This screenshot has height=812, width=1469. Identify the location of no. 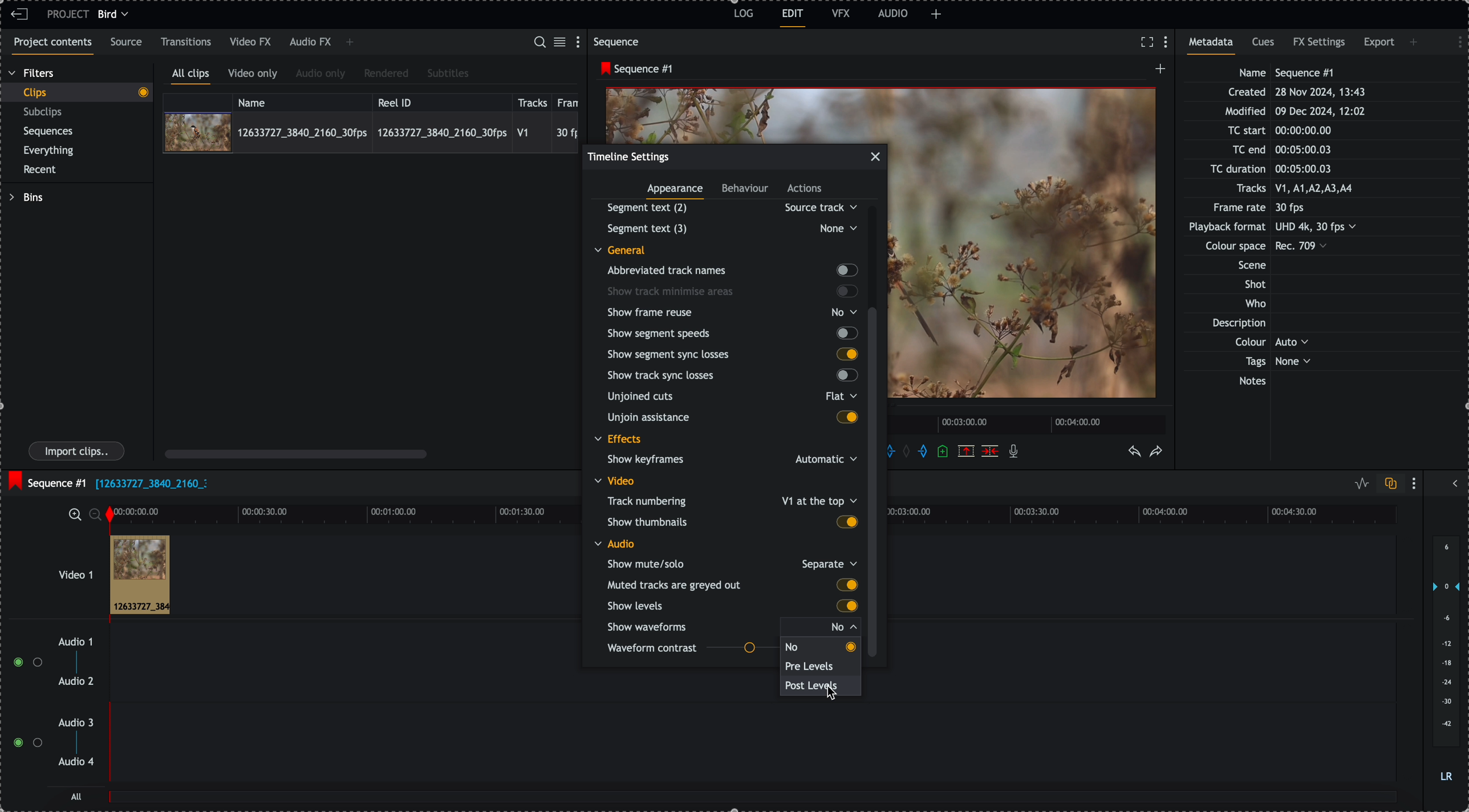
(794, 647).